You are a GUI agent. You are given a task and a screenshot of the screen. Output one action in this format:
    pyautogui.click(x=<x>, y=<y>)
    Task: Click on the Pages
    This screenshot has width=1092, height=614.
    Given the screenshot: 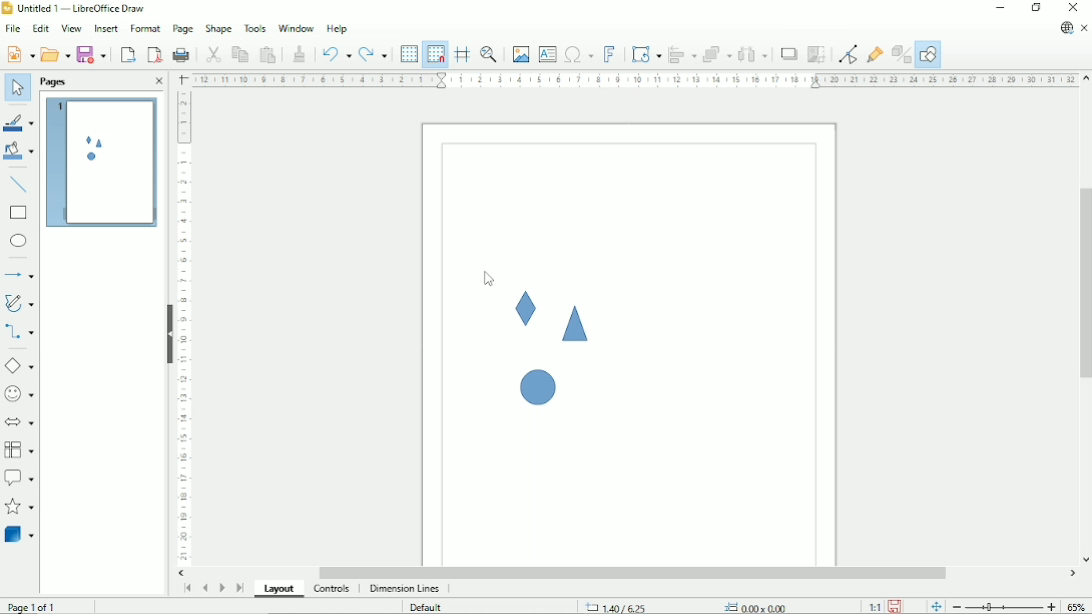 What is the action you would take?
    pyautogui.click(x=55, y=82)
    